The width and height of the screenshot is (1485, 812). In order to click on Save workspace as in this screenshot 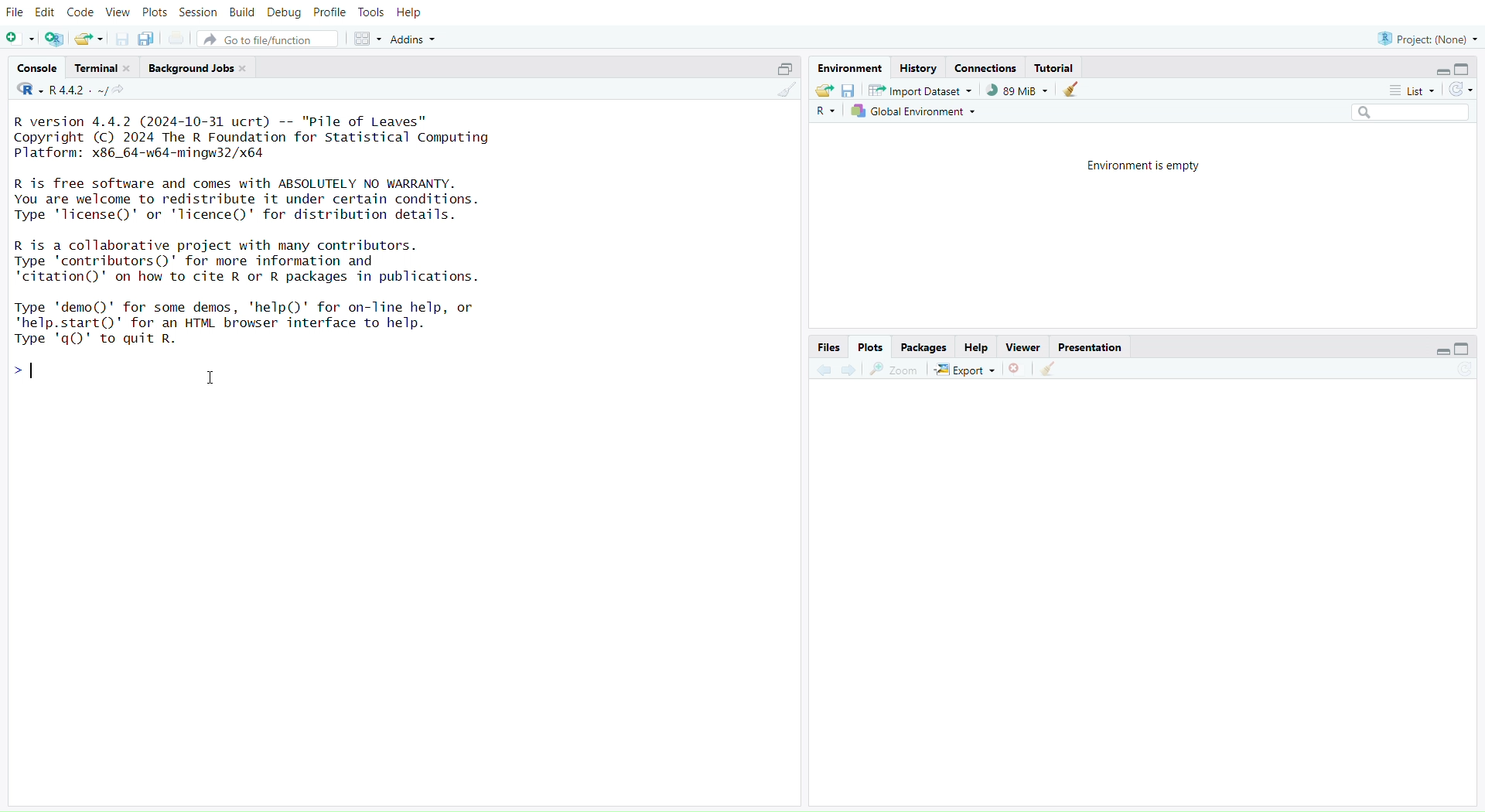, I will do `click(850, 92)`.